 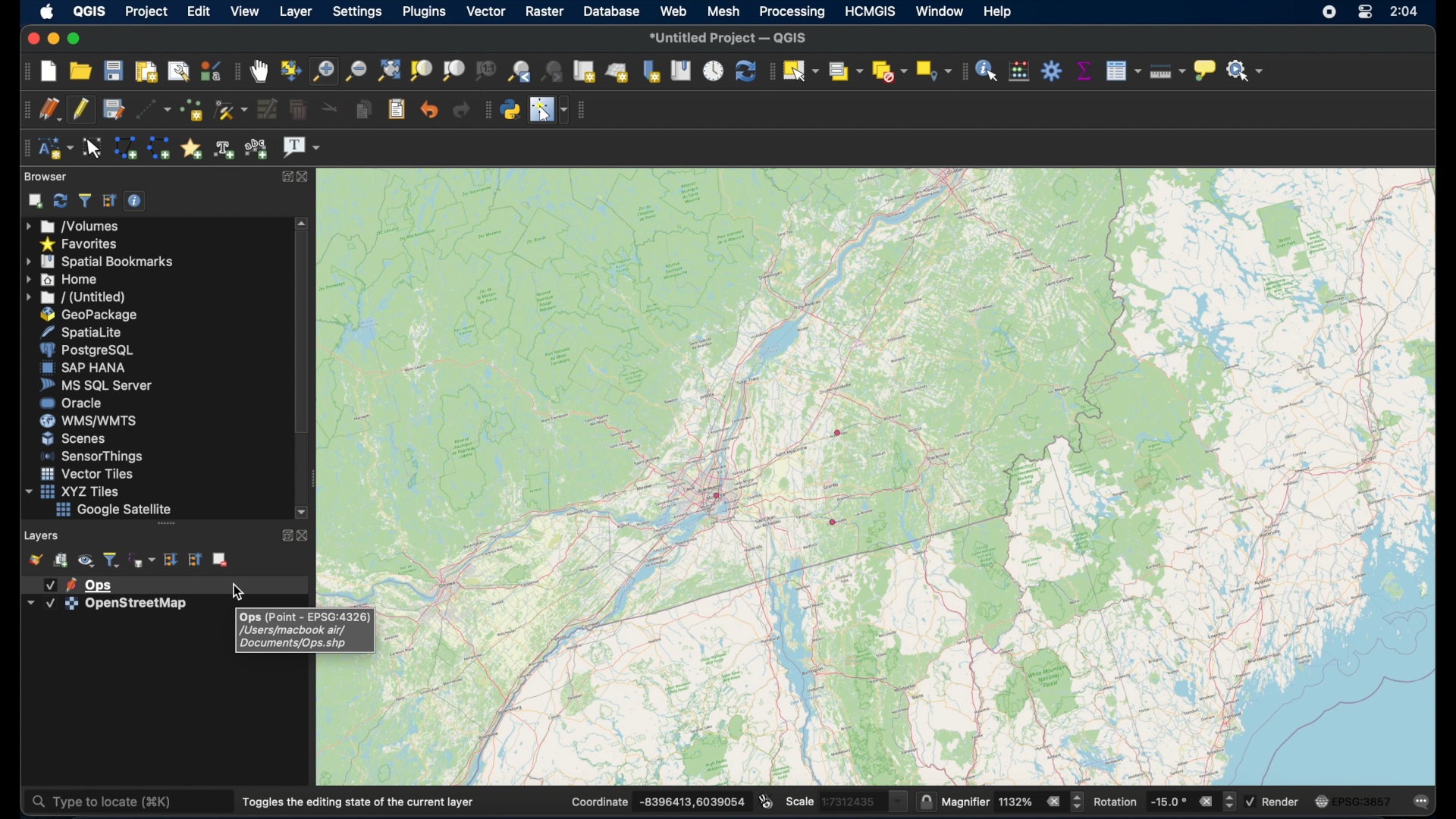 I want to click on open layer styling panel, so click(x=35, y=559).